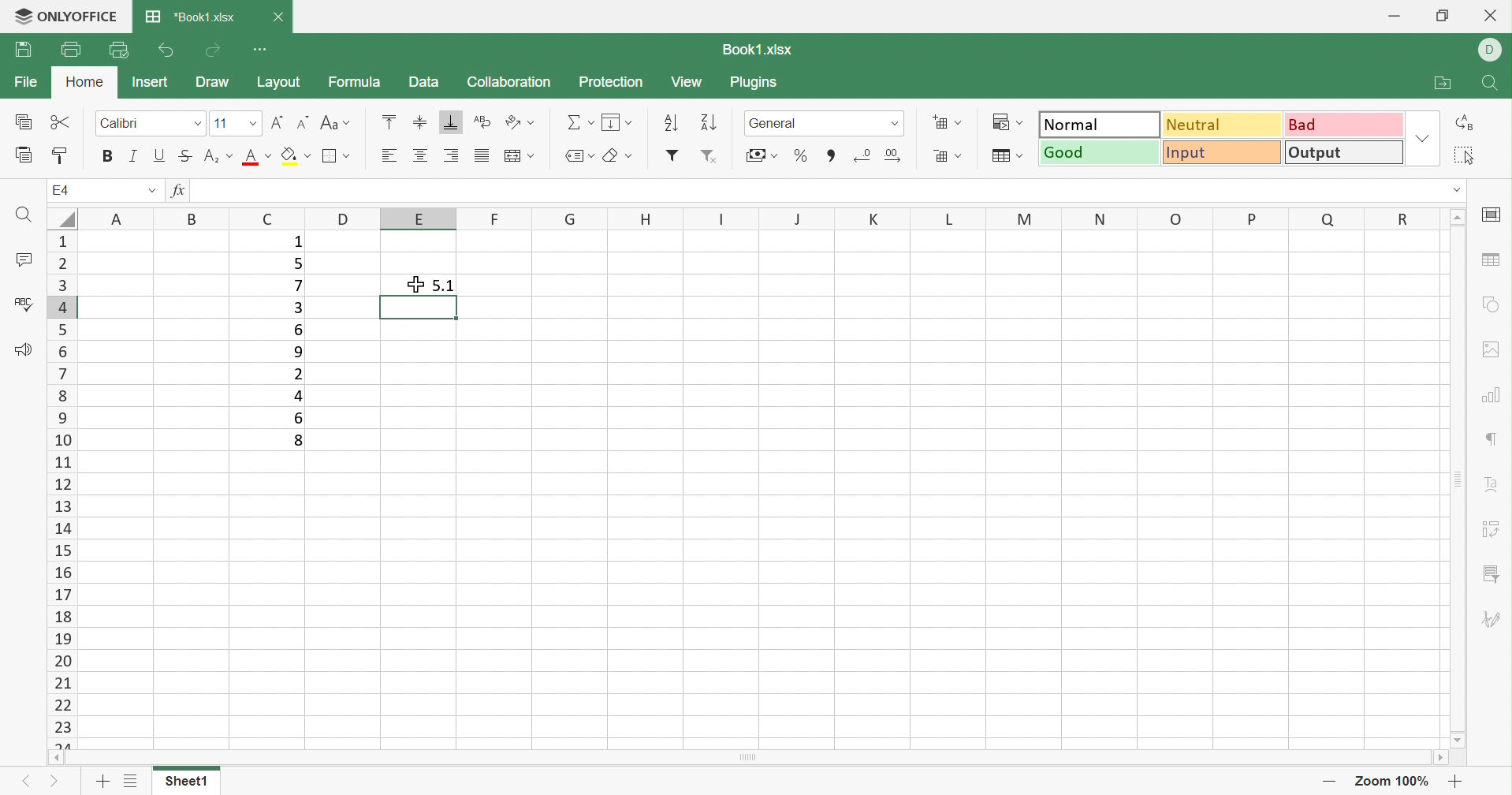 The width and height of the screenshot is (1512, 795). What do you see at coordinates (62, 488) in the screenshot?
I see `Row Number` at bounding box center [62, 488].